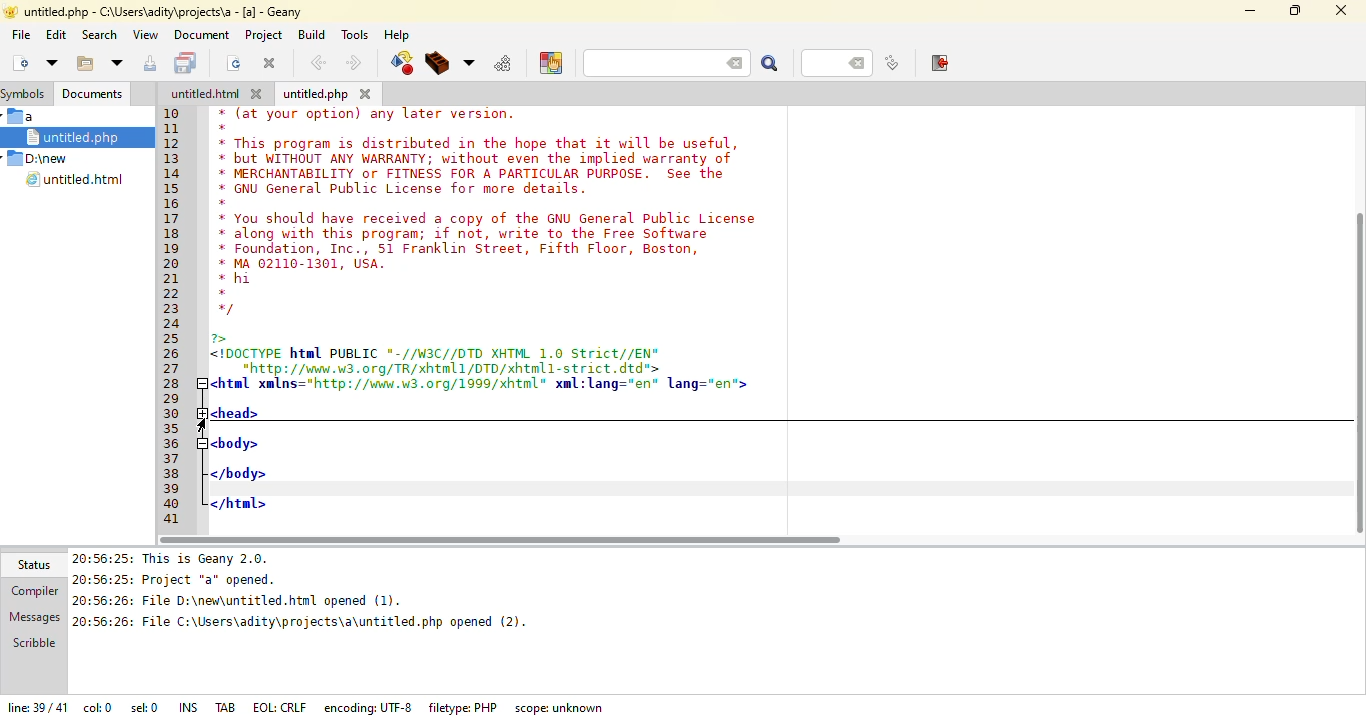  I want to click on close, so click(365, 94).